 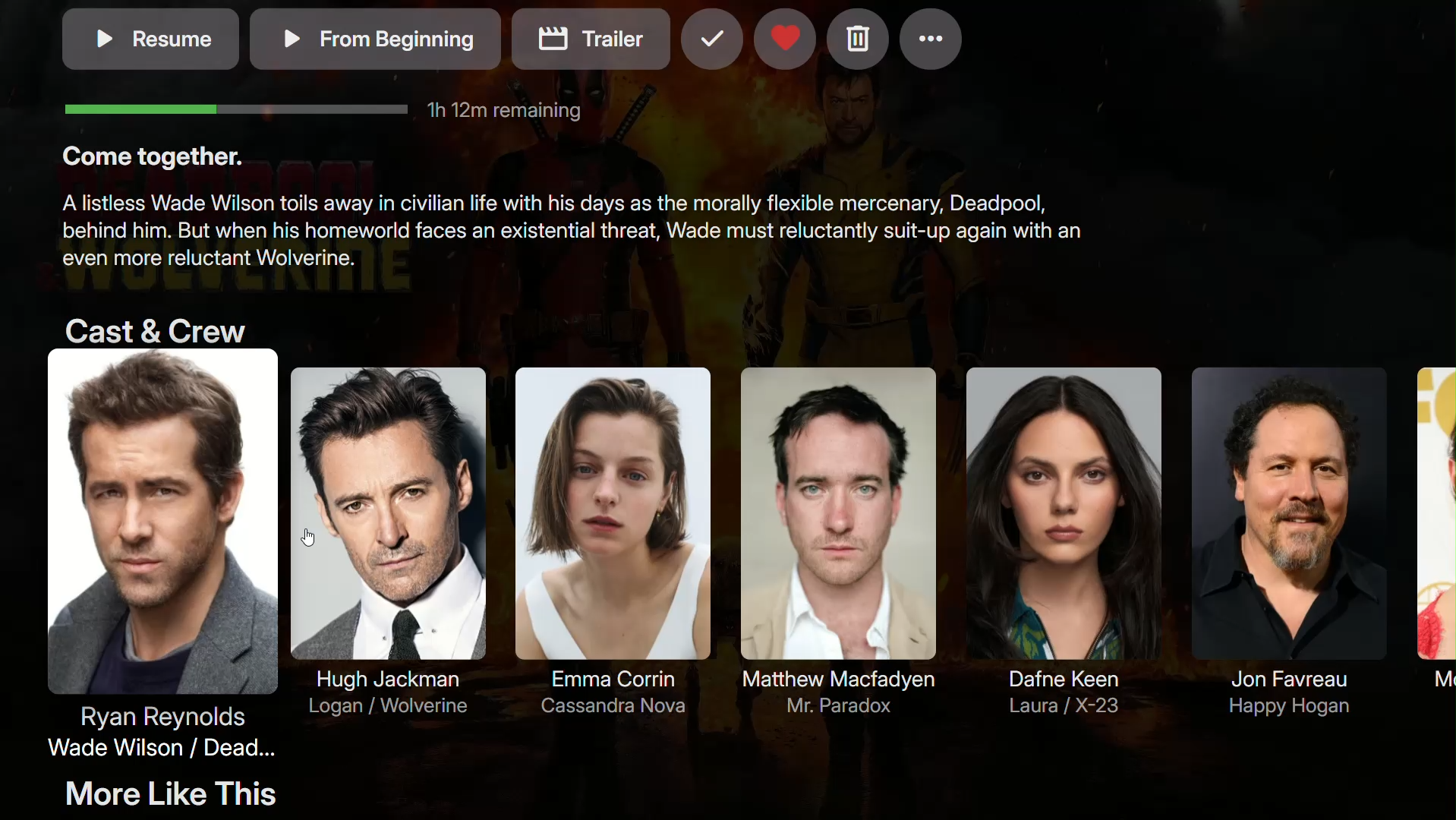 I want to click on Options, so click(x=932, y=40).